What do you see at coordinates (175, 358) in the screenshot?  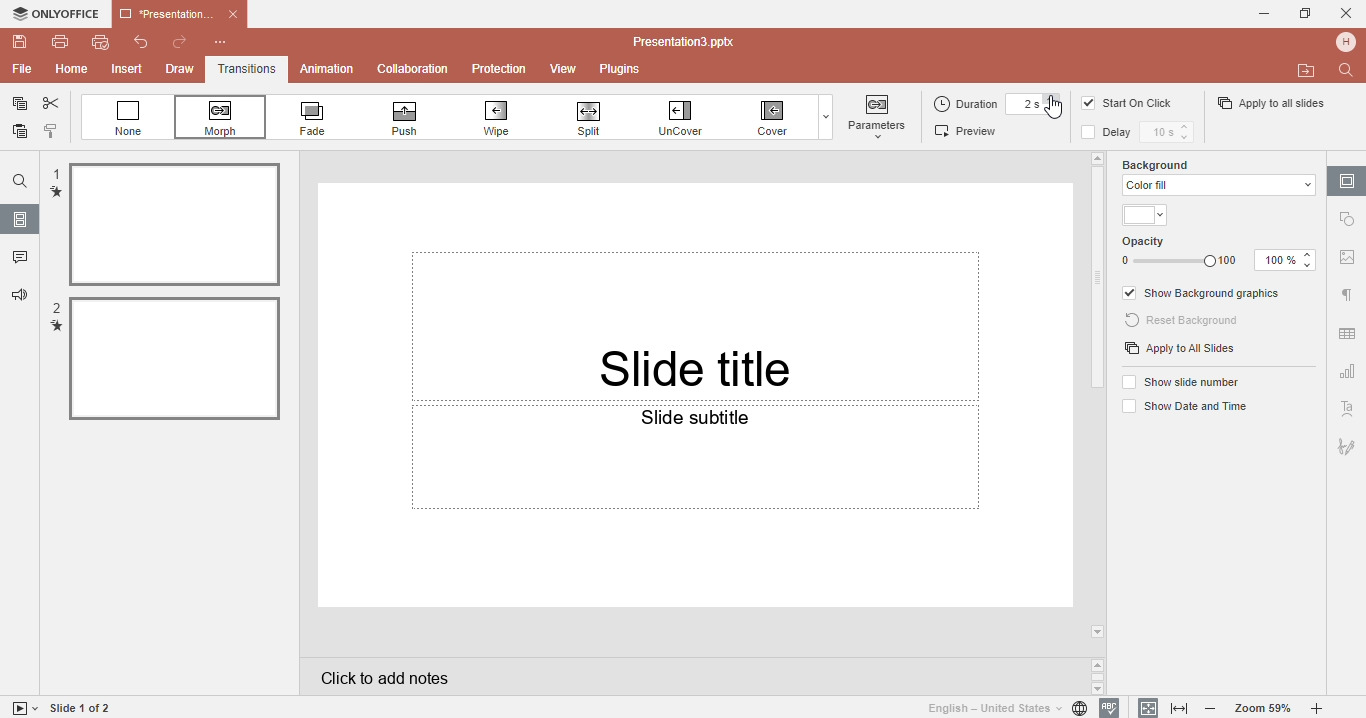 I see `Slected file 2` at bounding box center [175, 358].